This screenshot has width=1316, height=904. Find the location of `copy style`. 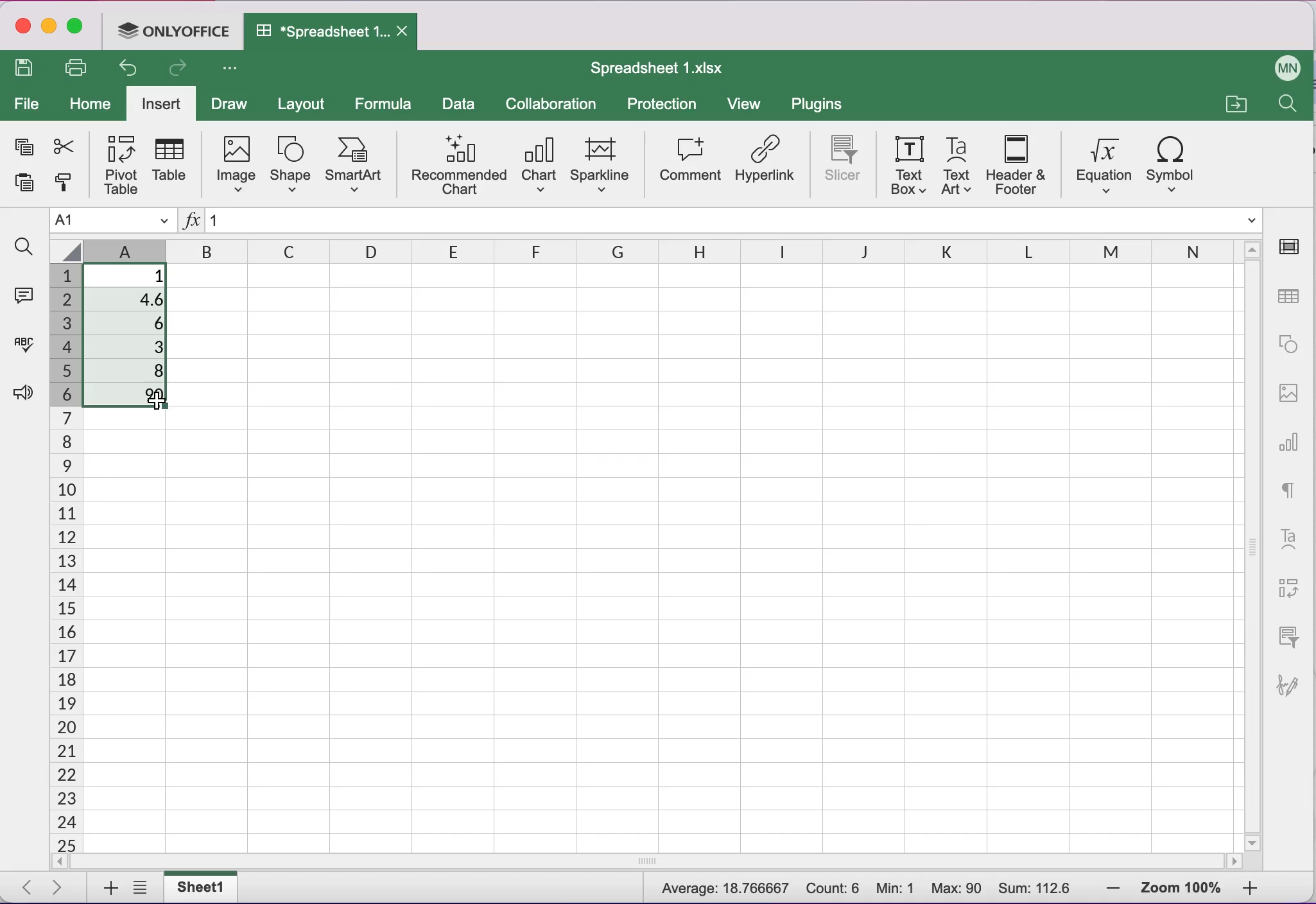

copy style is located at coordinates (60, 184).